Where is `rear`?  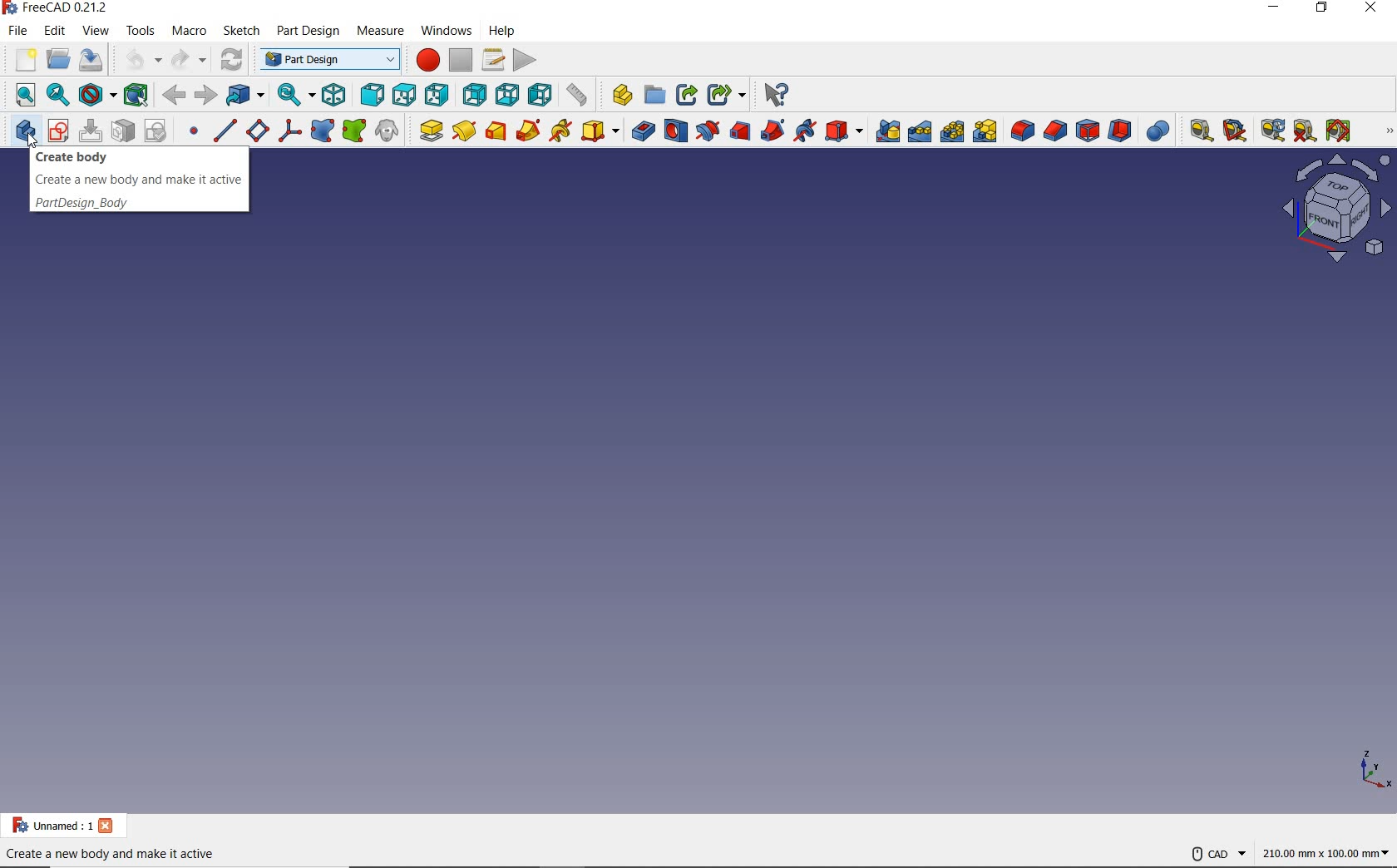
rear is located at coordinates (474, 95).